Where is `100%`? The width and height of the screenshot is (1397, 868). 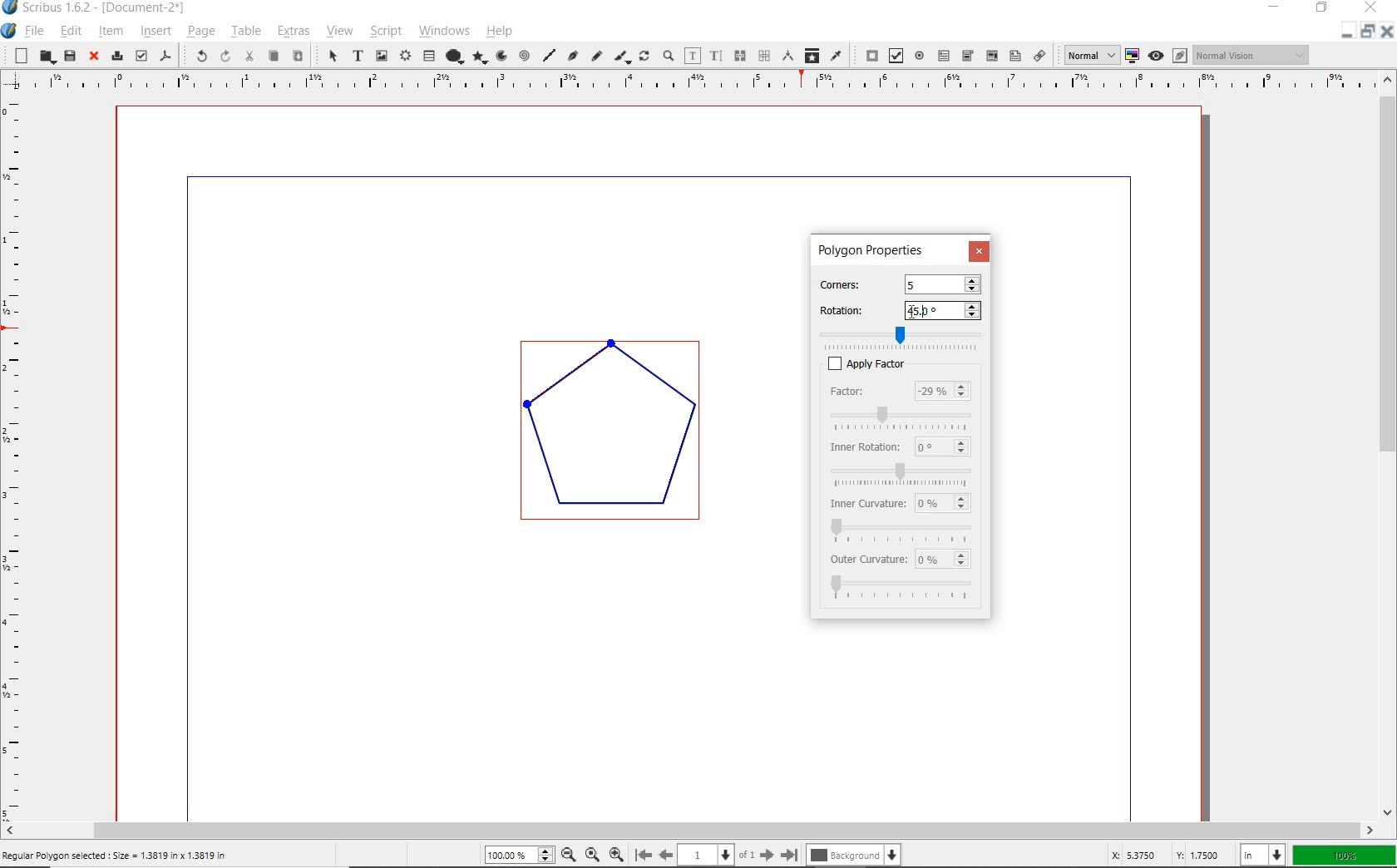 100% is located at coordinates (1341, 854).